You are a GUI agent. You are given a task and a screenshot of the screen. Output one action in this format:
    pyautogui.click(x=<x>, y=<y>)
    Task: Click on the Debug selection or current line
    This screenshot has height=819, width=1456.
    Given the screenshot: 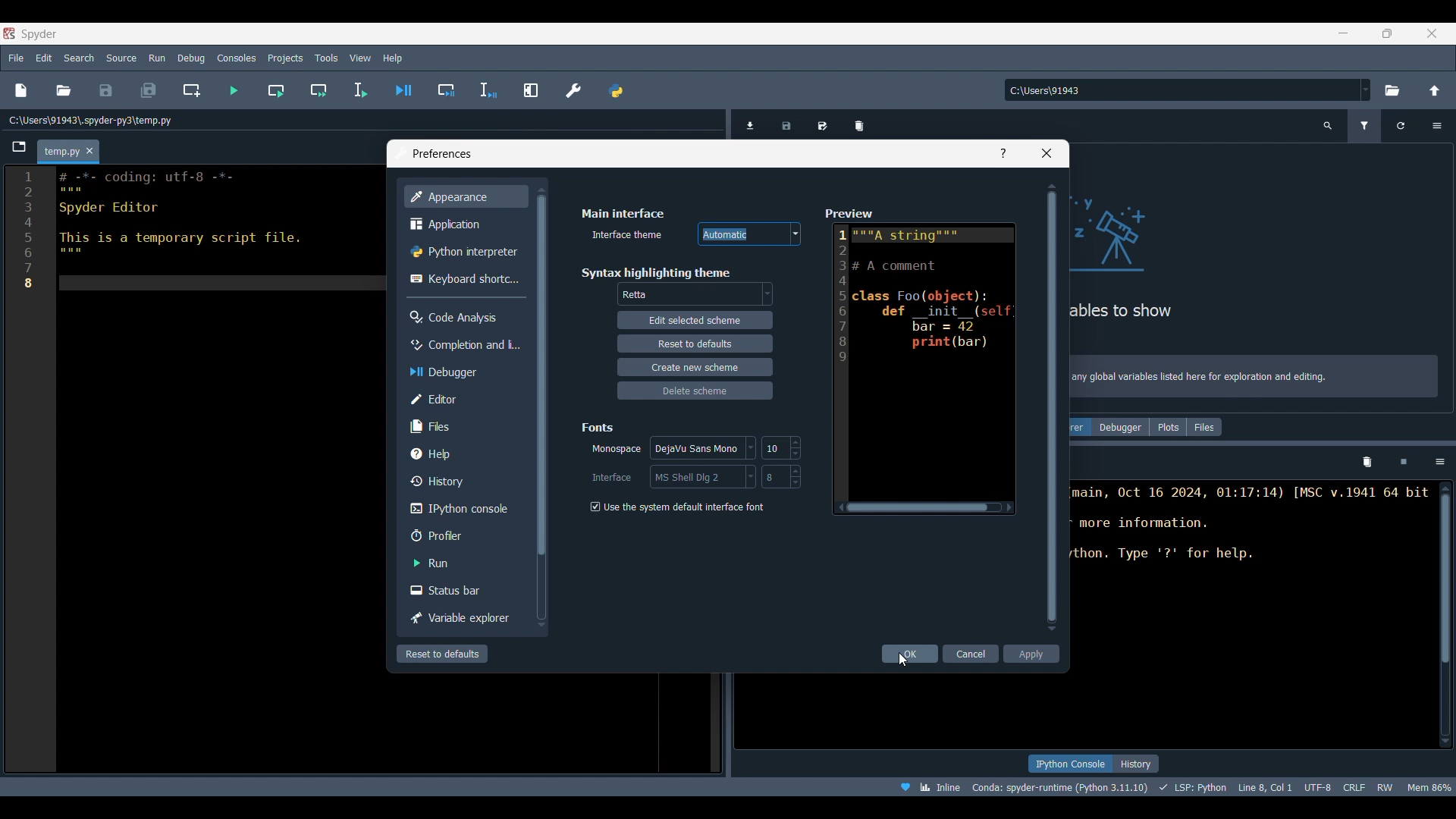 What is the action you would take?
    pyautogui.click(x=488, y=91)
    